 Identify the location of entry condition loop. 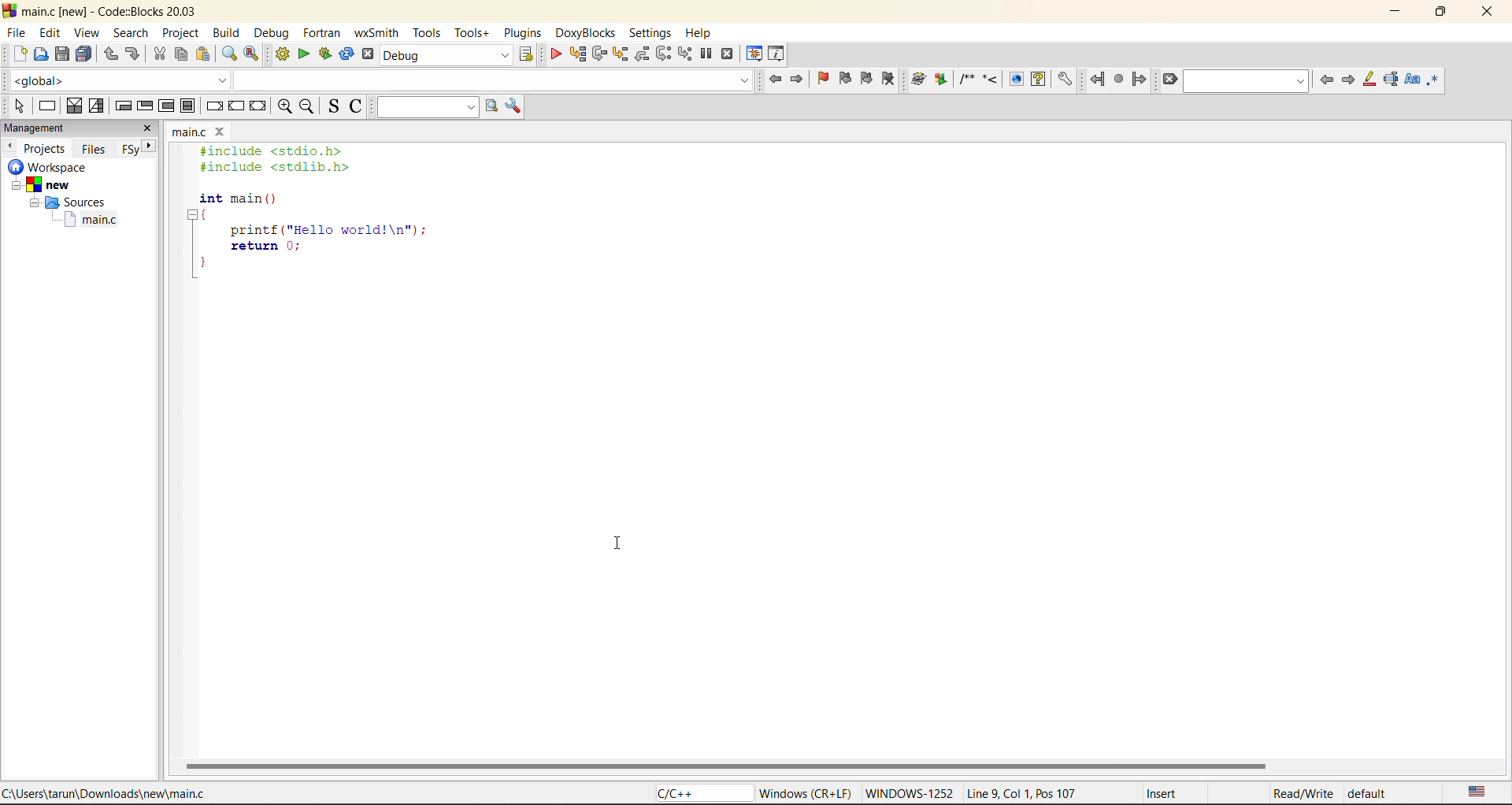
(122, 107).